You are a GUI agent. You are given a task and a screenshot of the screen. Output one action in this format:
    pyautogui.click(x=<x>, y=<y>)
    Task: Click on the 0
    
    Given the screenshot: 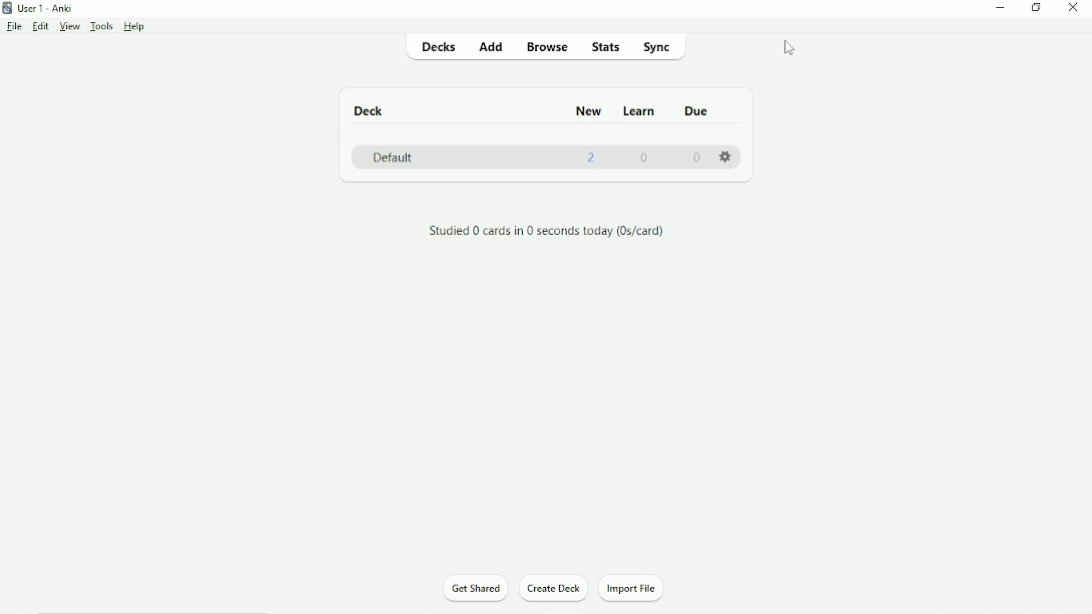 What is the action you would take?
    pyautogui.click(x=698, y=158)
    